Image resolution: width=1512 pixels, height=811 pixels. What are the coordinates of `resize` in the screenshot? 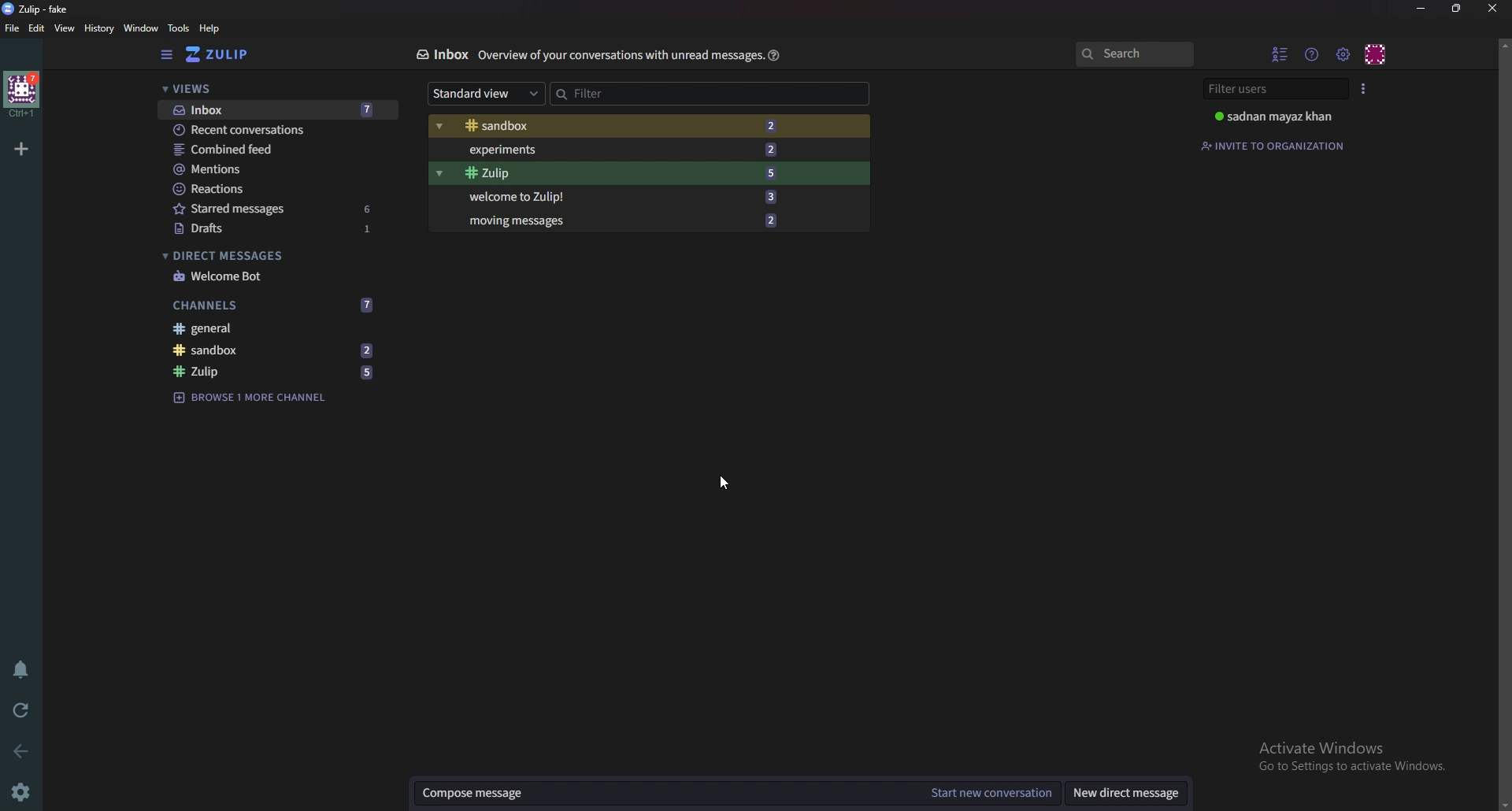 It's located at (1457, 9).